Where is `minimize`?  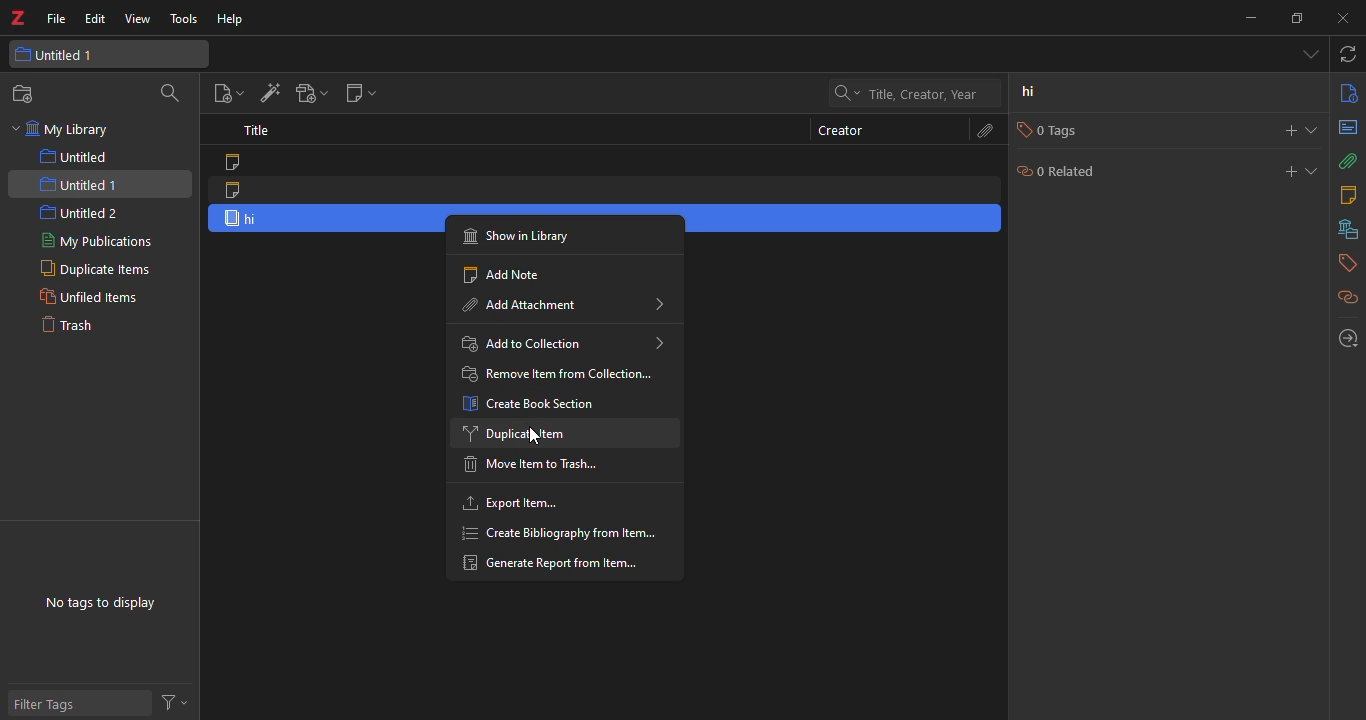 minimize is located at coordinates (1247, 20).